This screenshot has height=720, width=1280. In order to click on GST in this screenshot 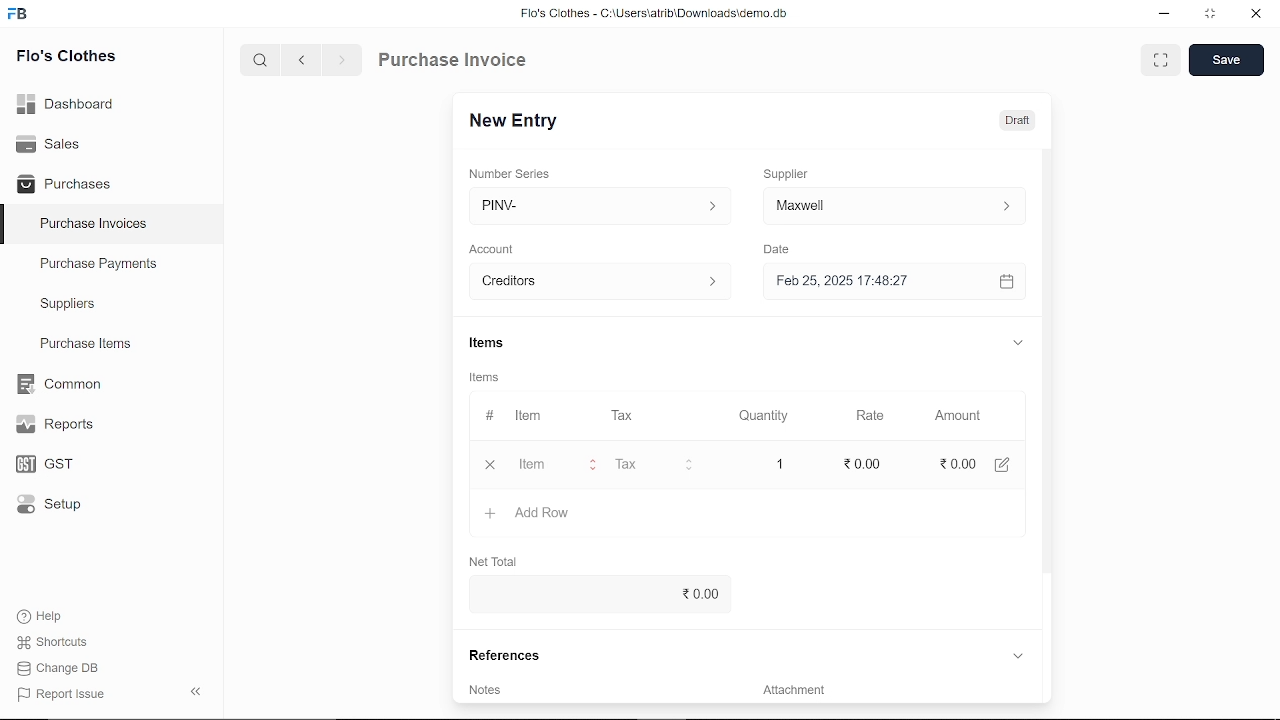, I will do `click(38, 465)`.